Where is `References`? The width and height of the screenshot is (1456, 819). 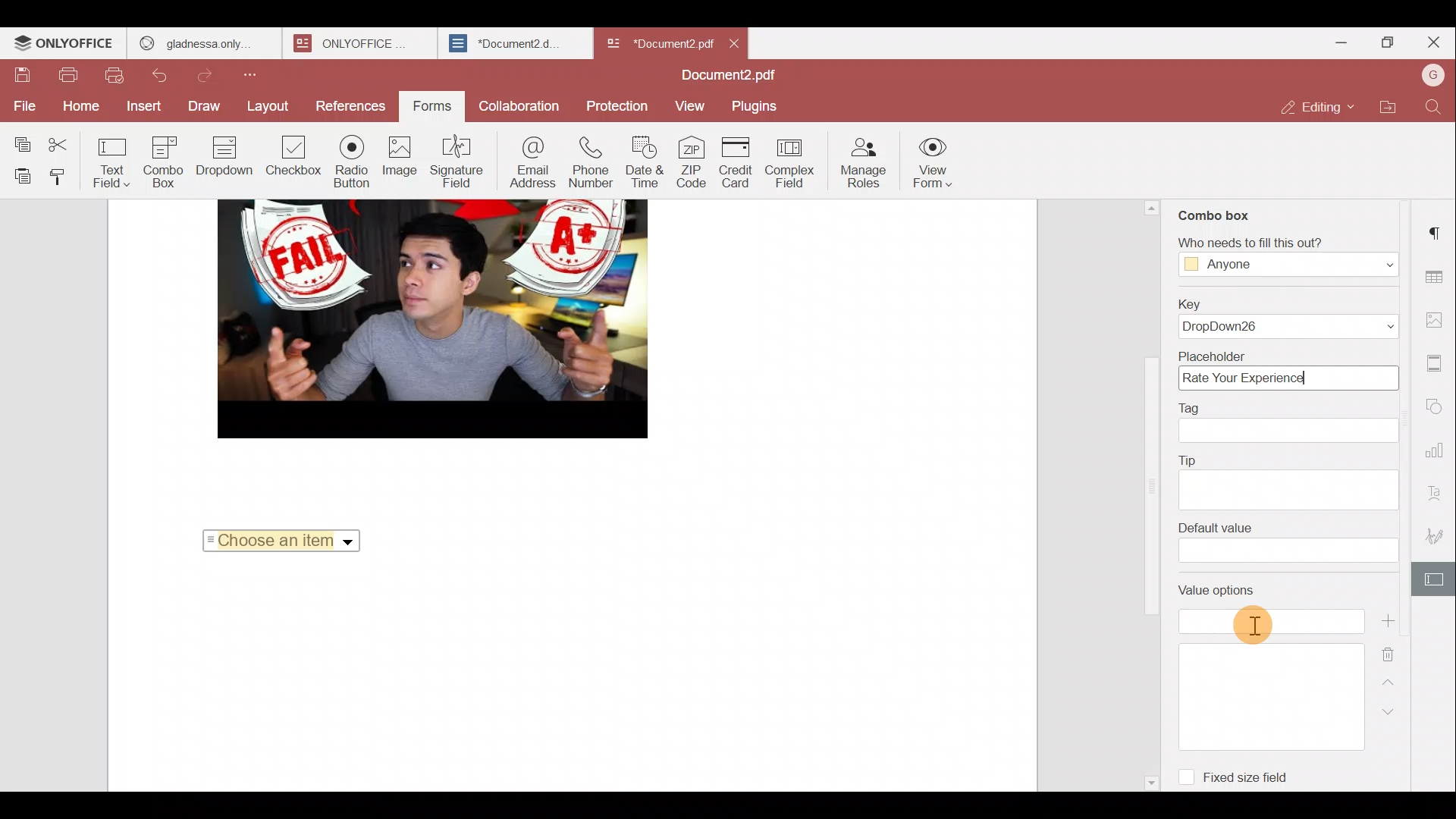
References is located at coordinates (347, 104).